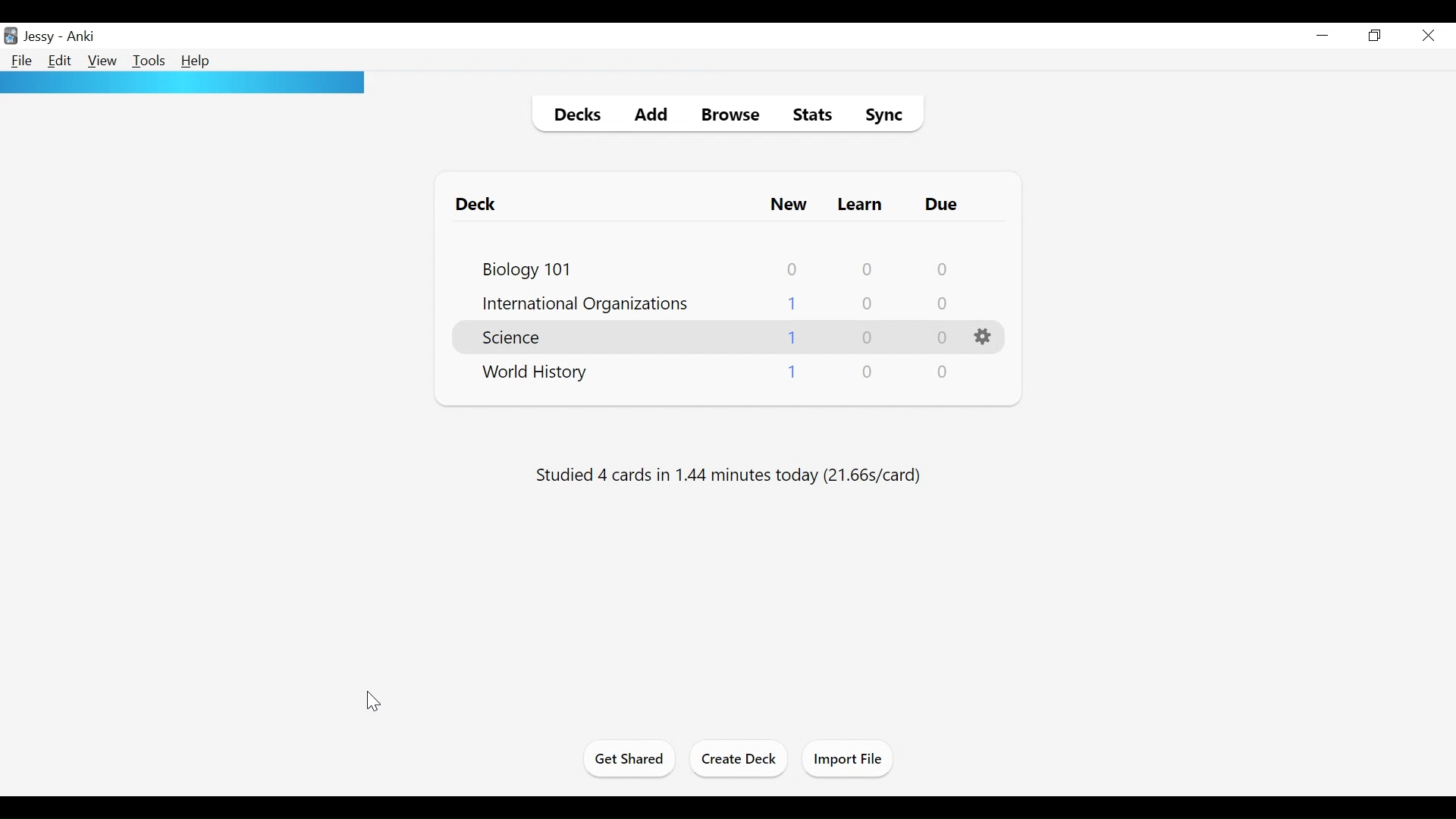 Image resolution: width=1456 pixels, height=819 pixels. What do you see at coordinates (1323, 35) in the screenshot?
I see `minimize` at bounding box center [1323, 35].